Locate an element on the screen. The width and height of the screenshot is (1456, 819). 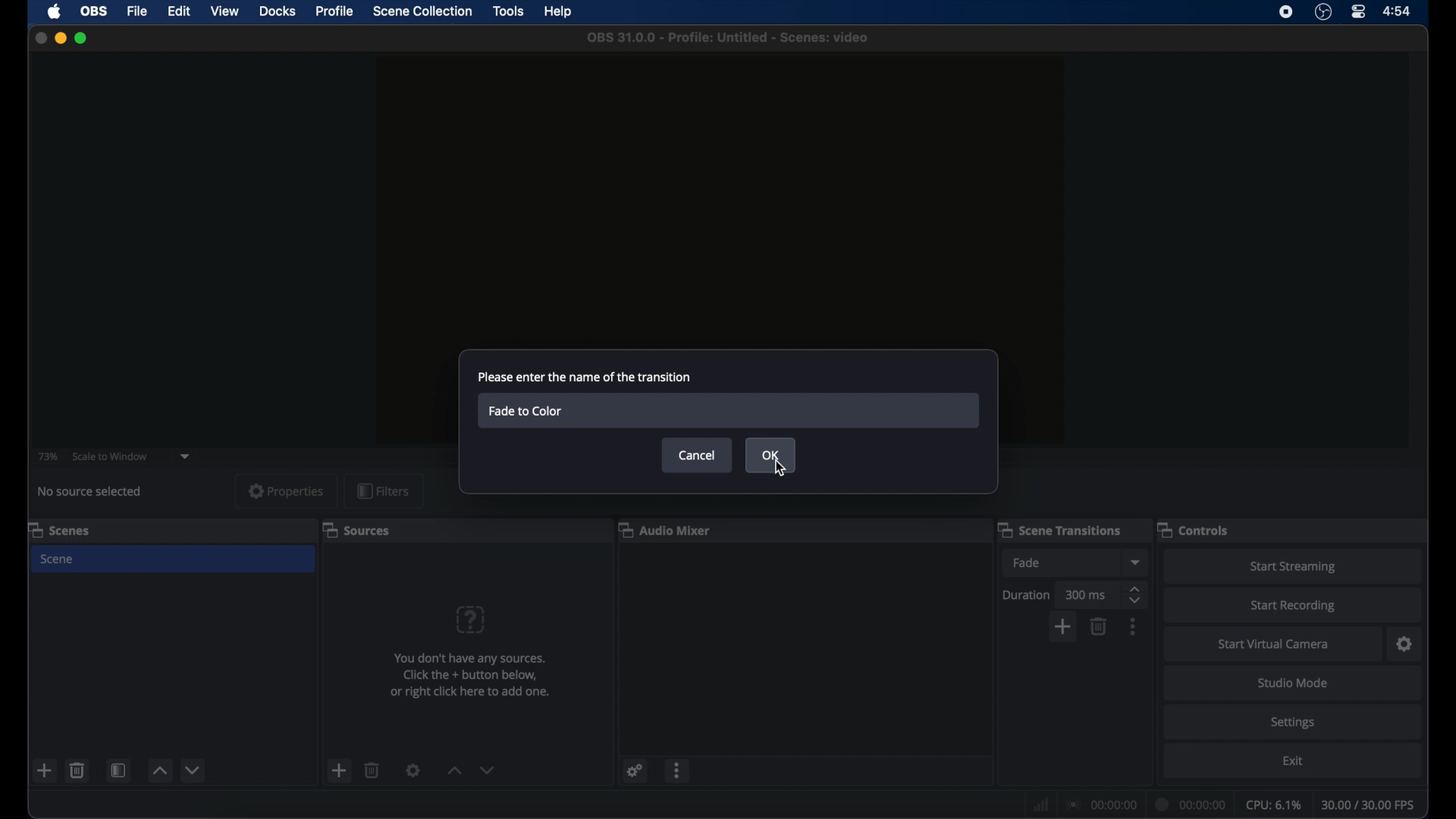
increment is located at coordinates (158, 771).